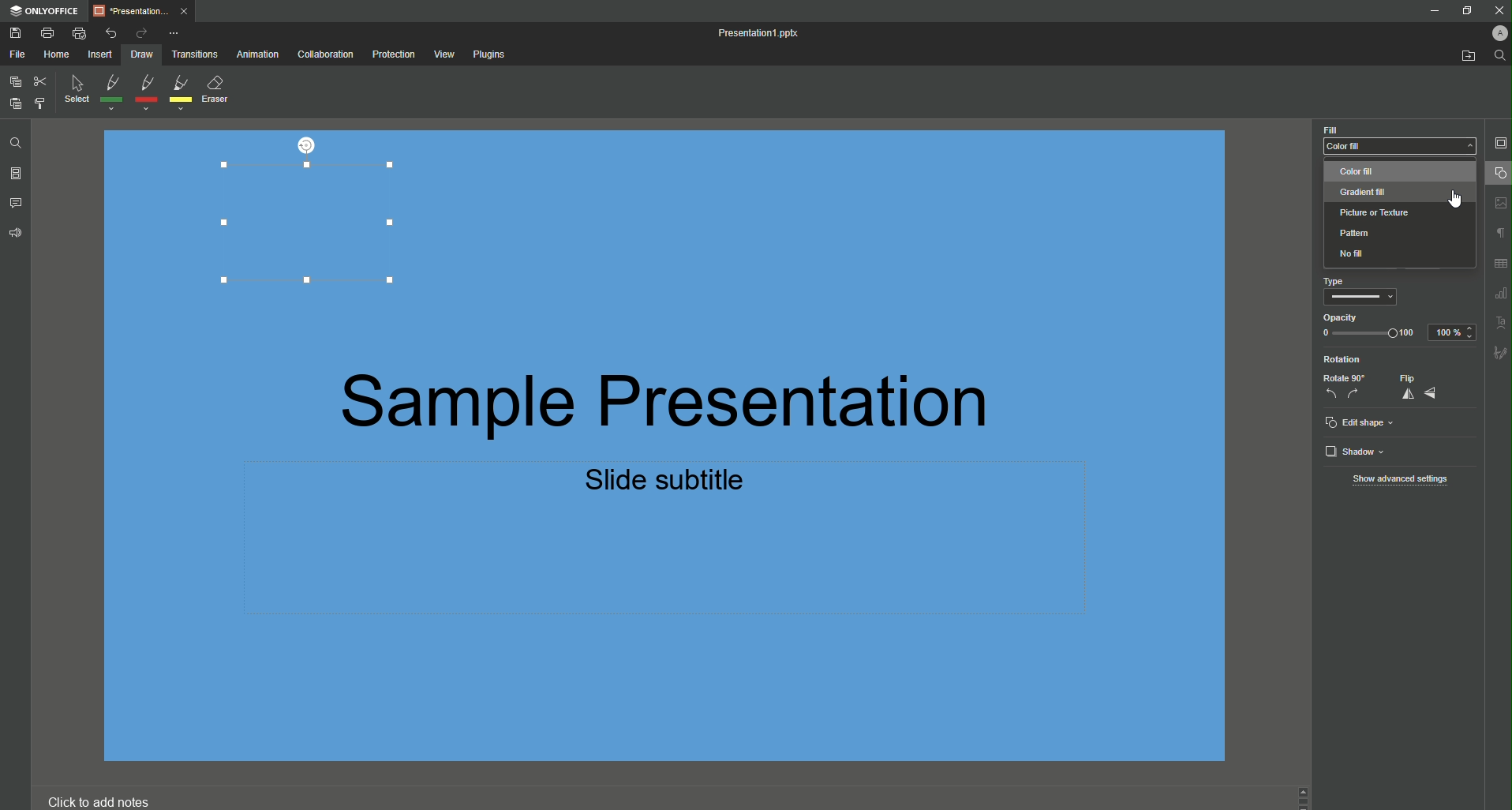 Image resolution: width=1512 pixels, height=810 pixels. Describe the element at coordinates (144, 92) in the screenshot. I see `Red` at that location.